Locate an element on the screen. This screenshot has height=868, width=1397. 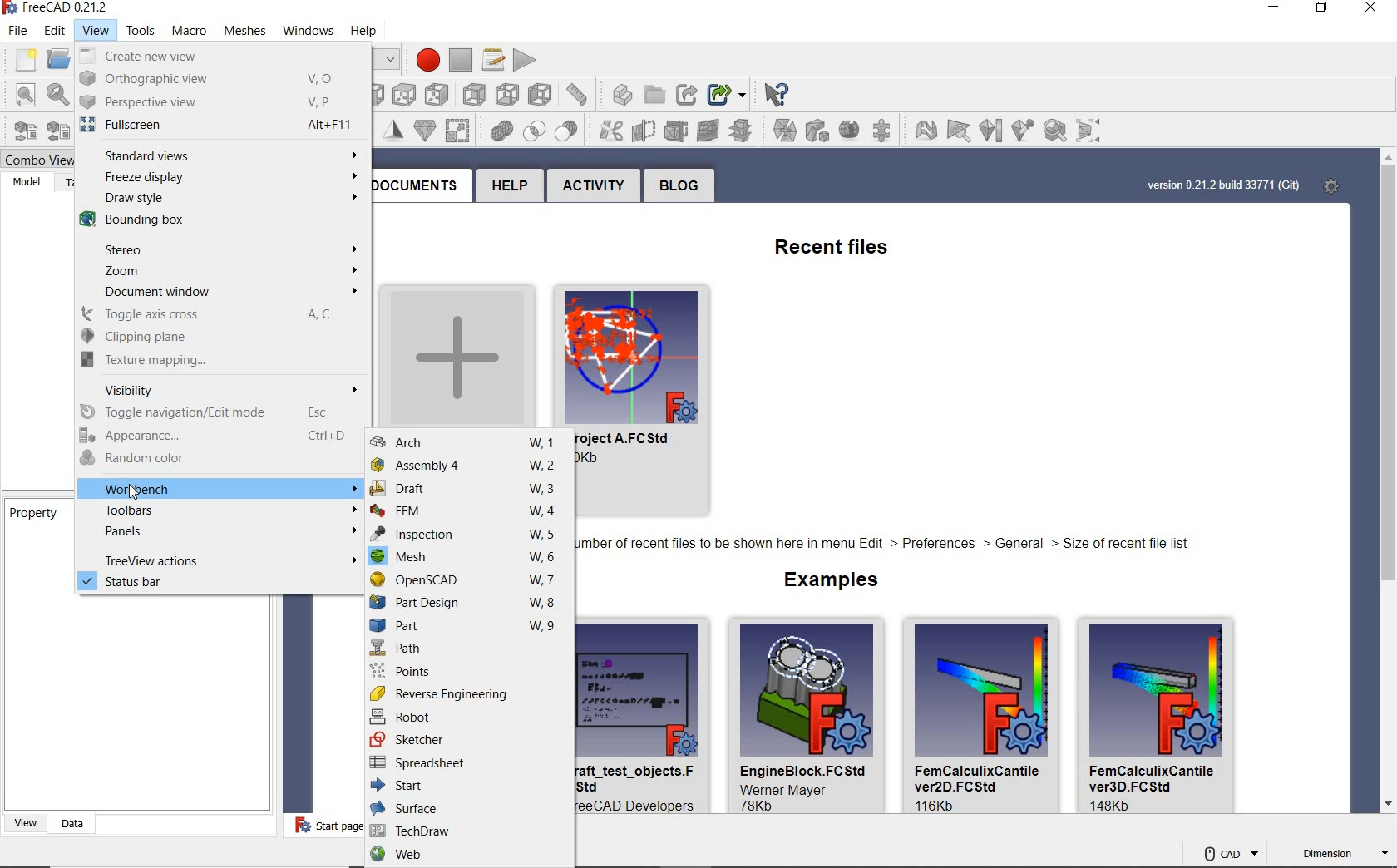
face info is located at coordinates (956, 129).